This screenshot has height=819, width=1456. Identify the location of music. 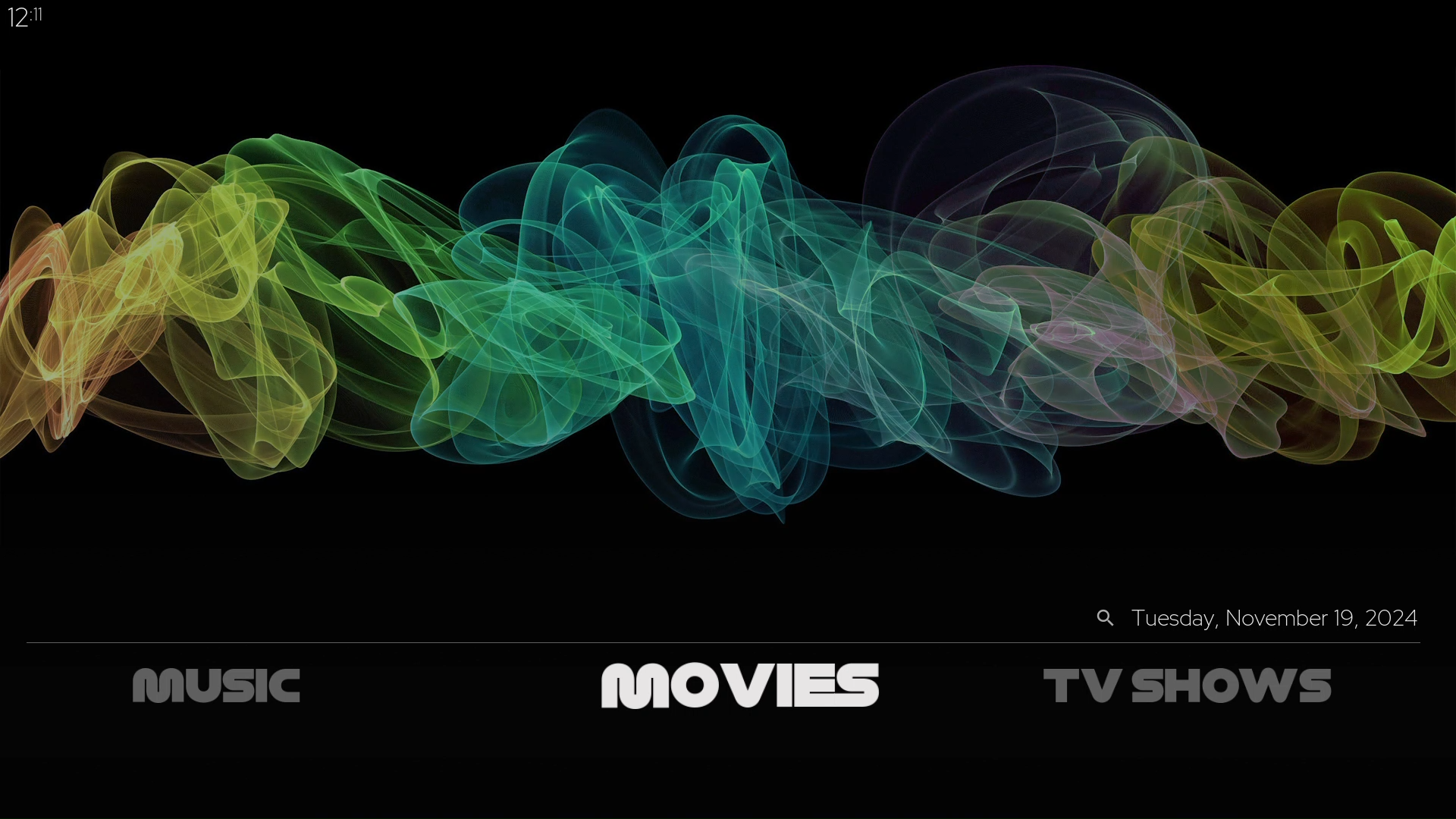
(227, 682).